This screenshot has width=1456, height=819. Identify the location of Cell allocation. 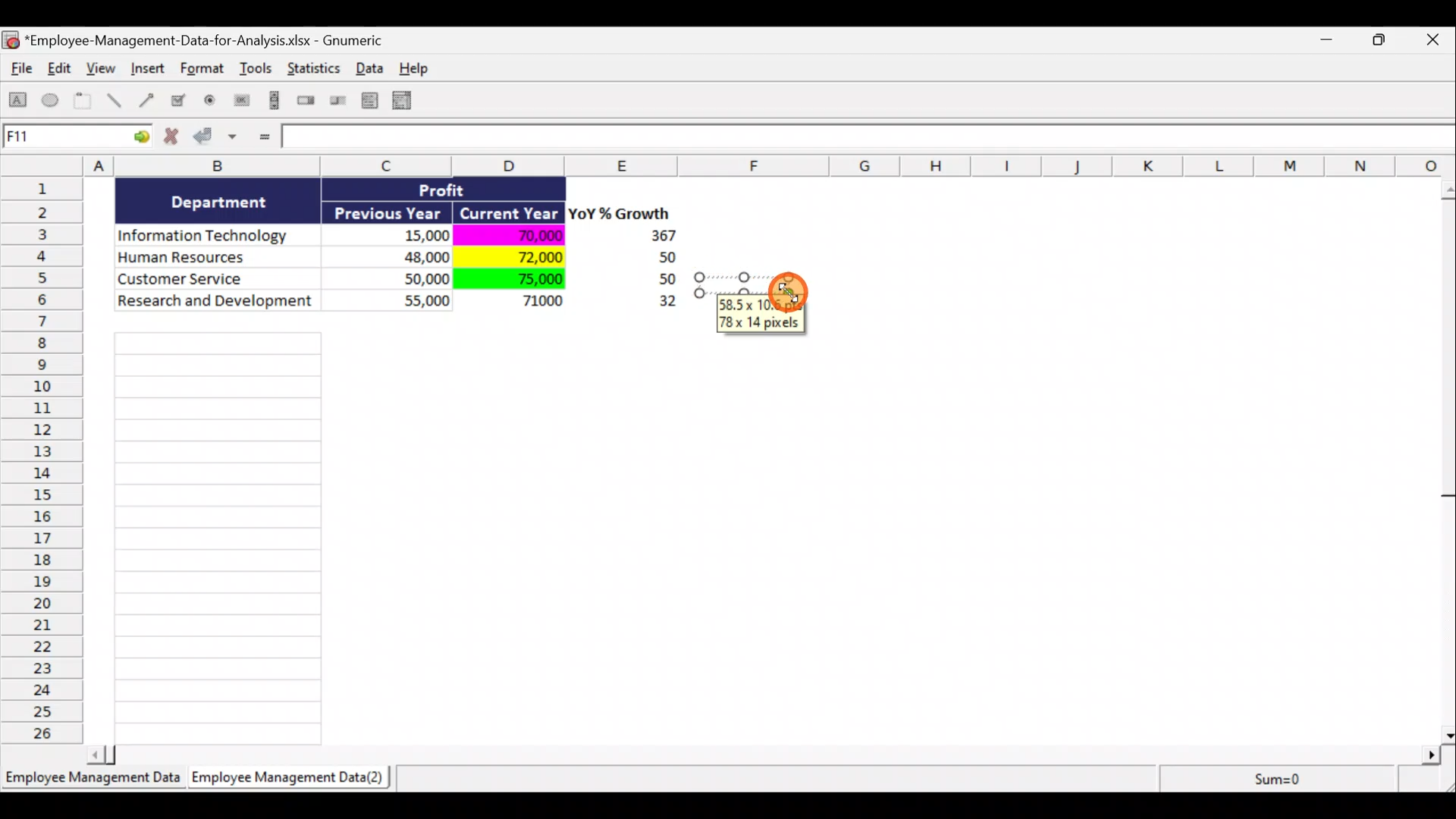
(77, 139).